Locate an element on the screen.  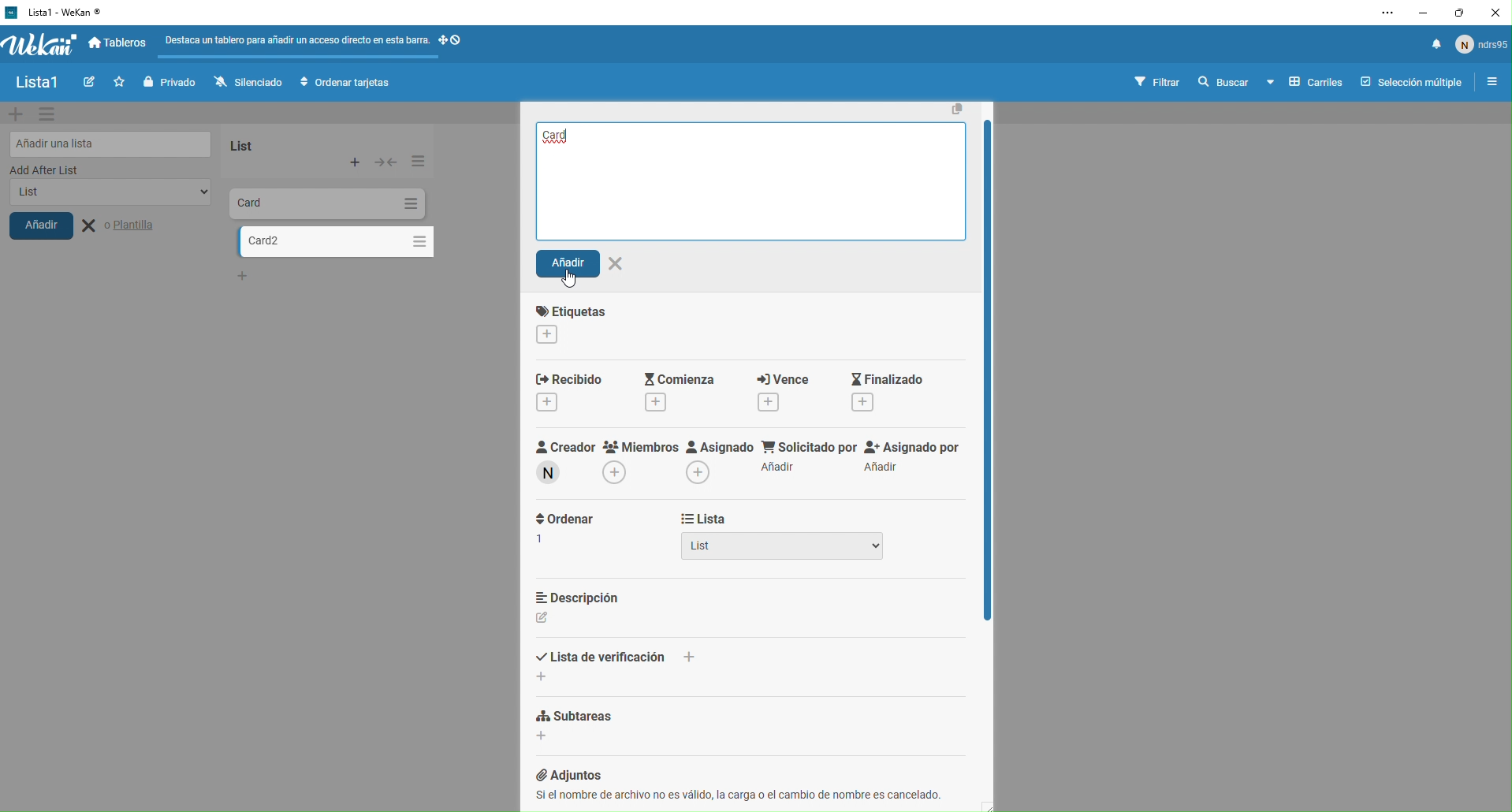
tableros is located at coordinates (121, 44).